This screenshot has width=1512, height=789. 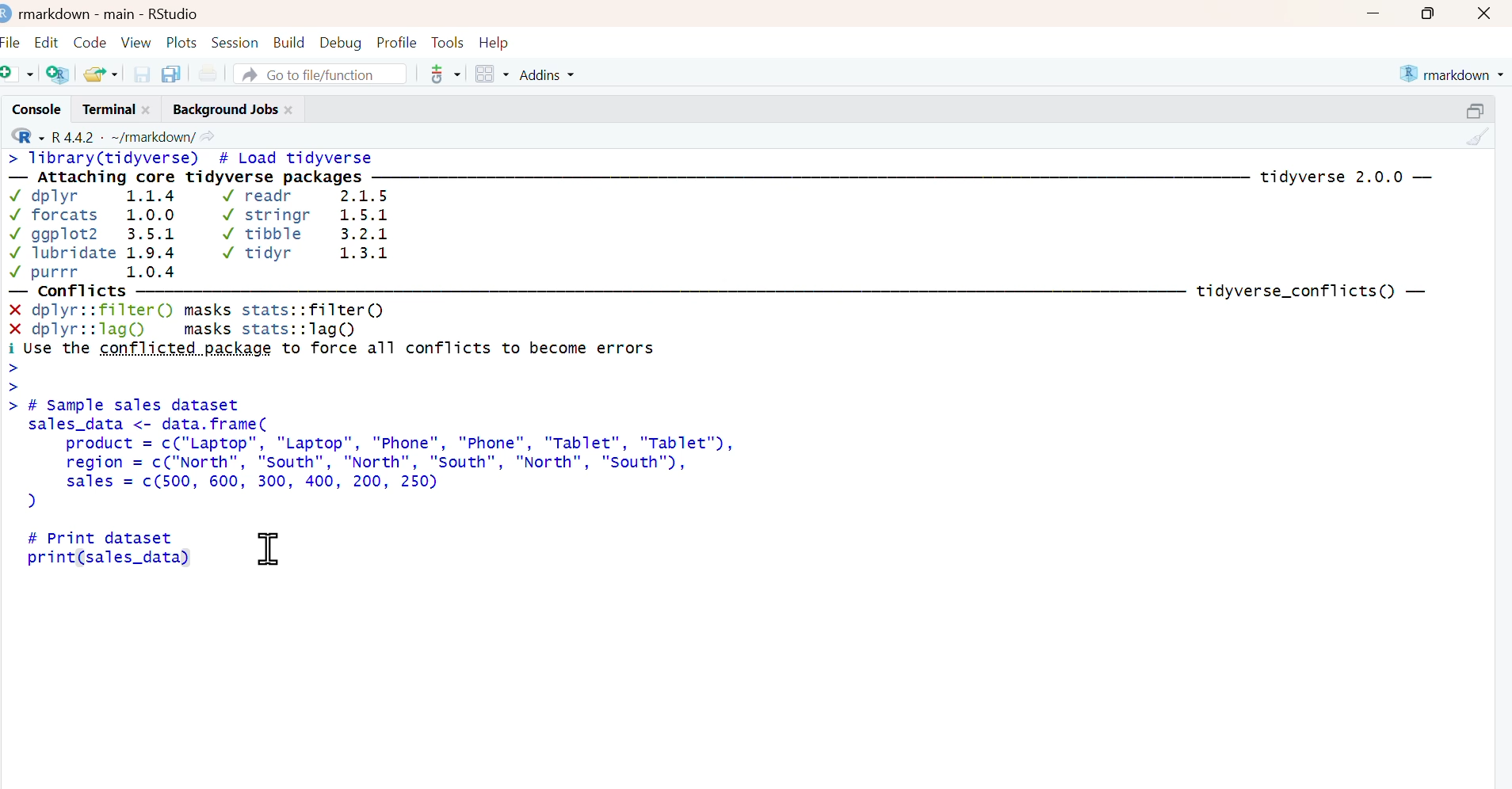 I want to click on markdown - main -, so click(x=78, y=12).